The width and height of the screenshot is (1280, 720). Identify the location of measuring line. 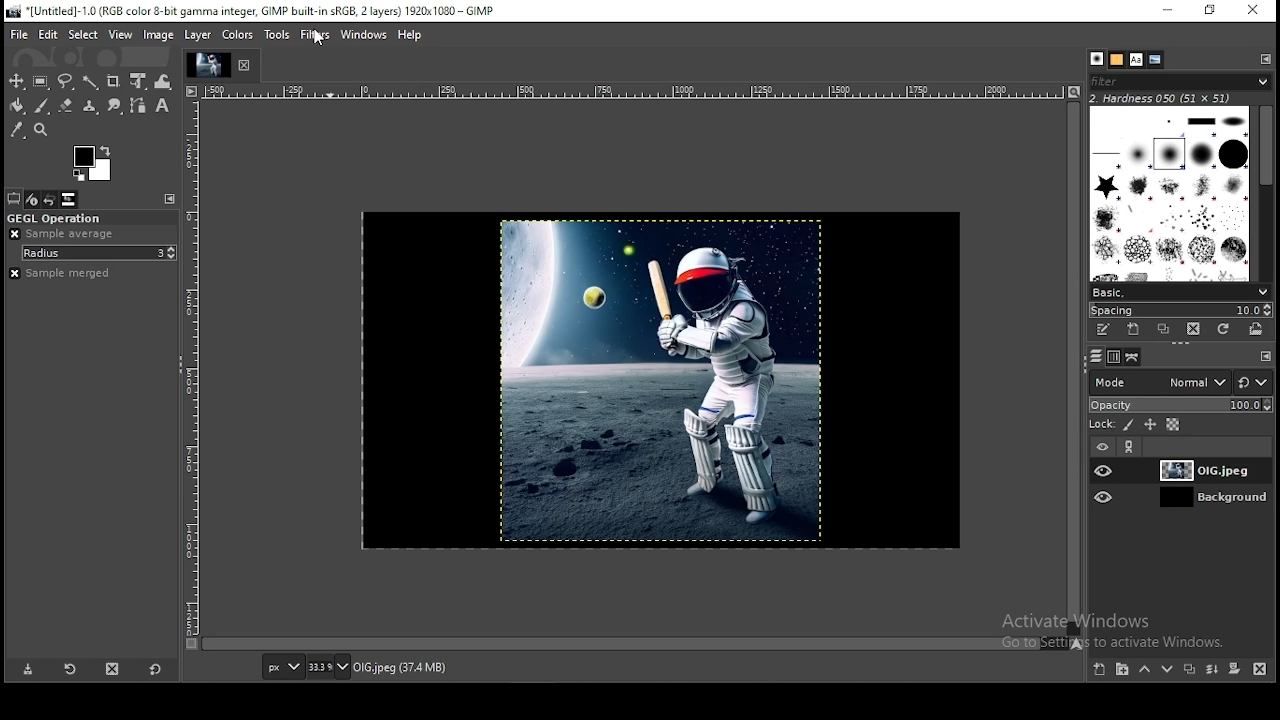
(197, 378).